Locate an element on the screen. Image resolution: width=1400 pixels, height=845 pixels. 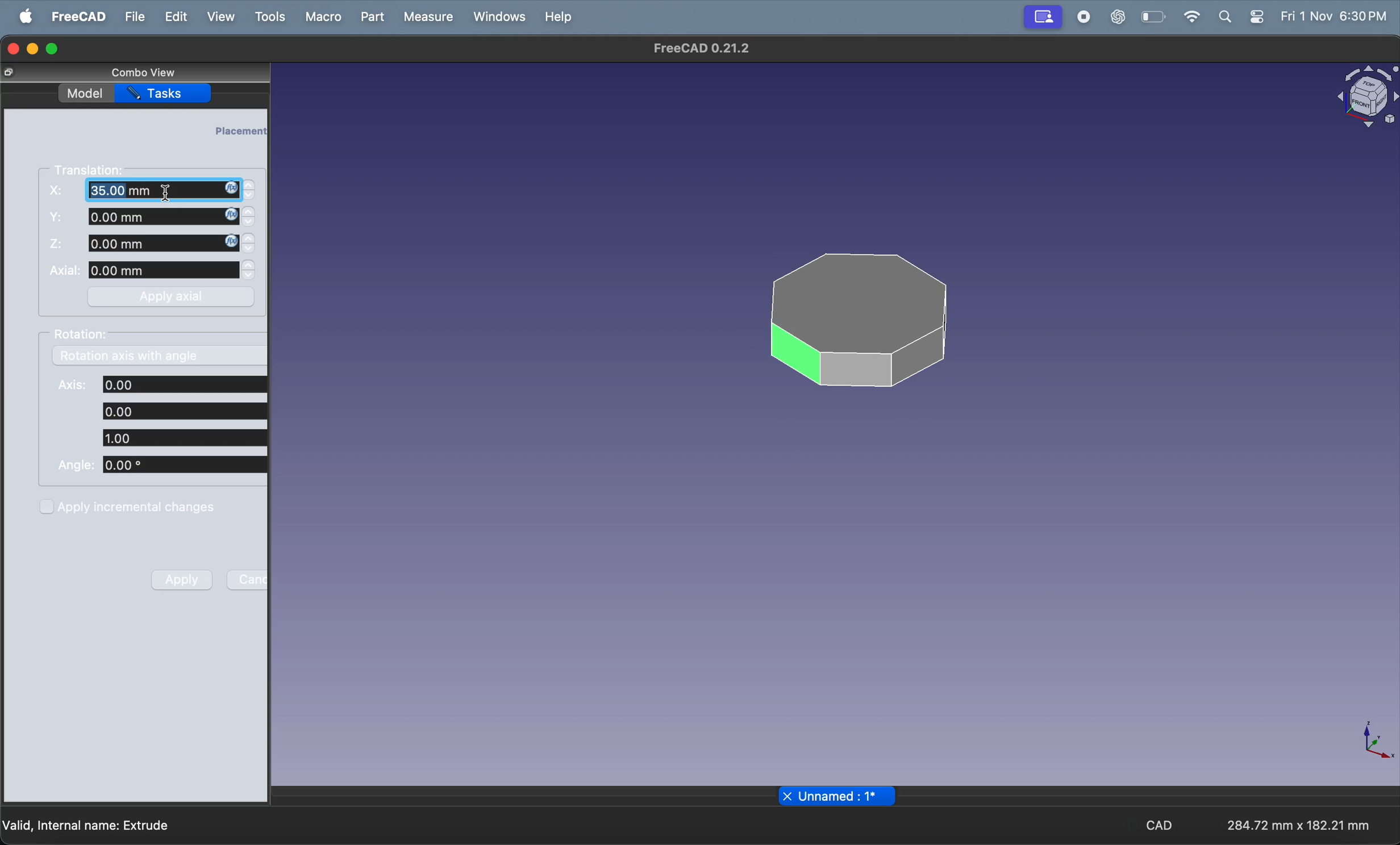
up is located at coordinates (250, 238).